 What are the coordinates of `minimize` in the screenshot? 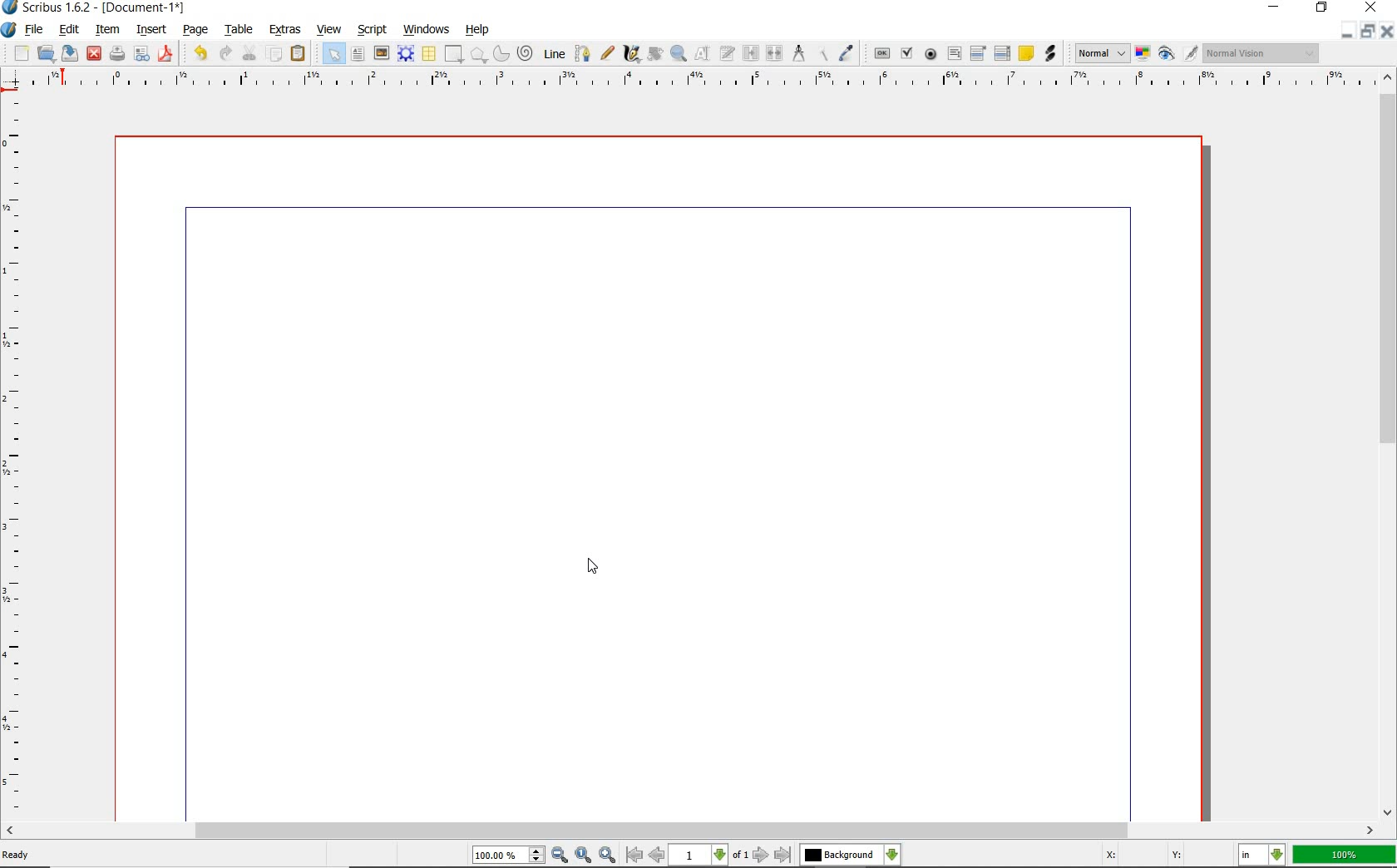 It's located at (1348, 33).